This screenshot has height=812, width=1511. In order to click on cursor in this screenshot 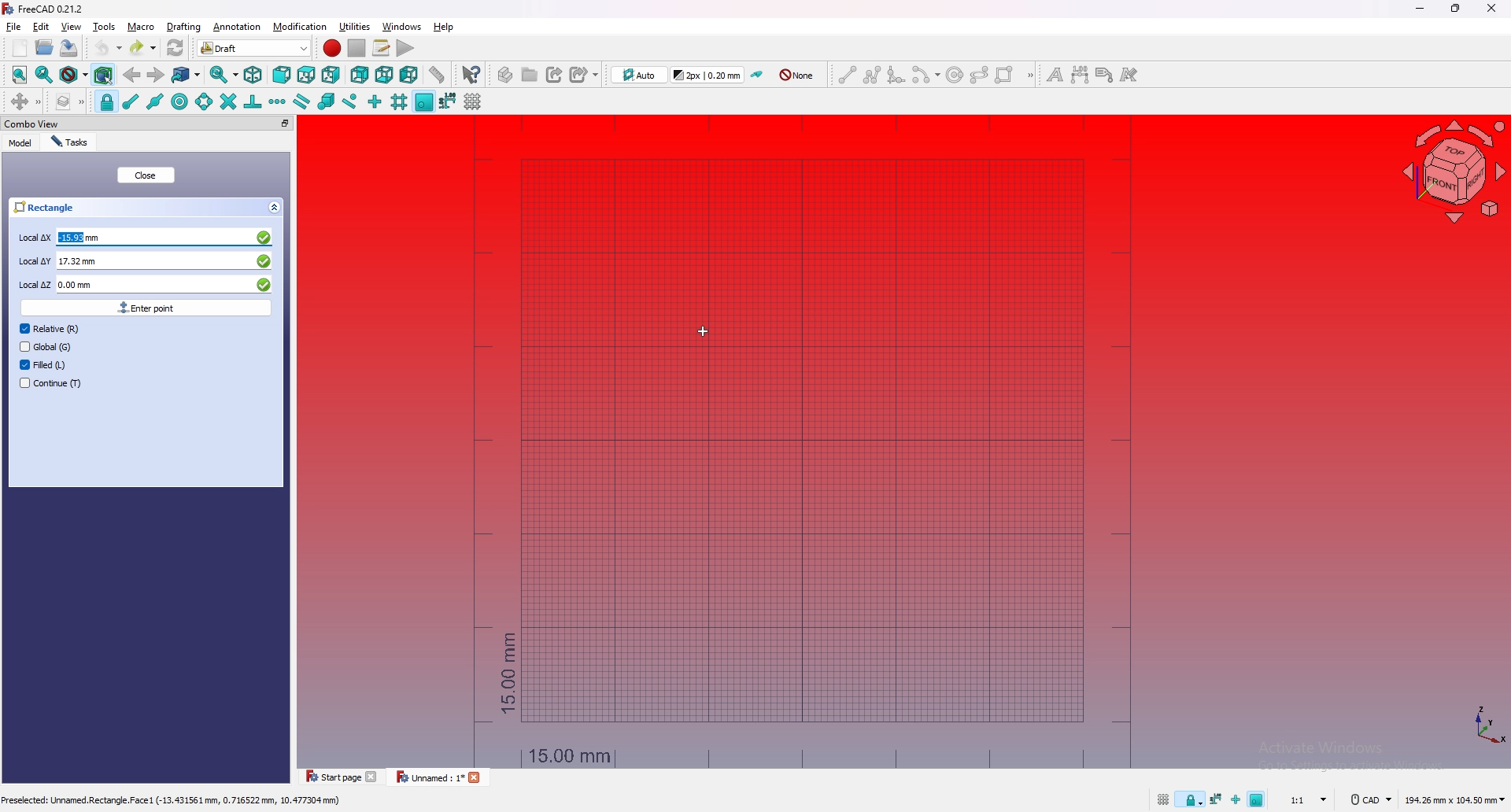, I will do `click(704, 331)`.